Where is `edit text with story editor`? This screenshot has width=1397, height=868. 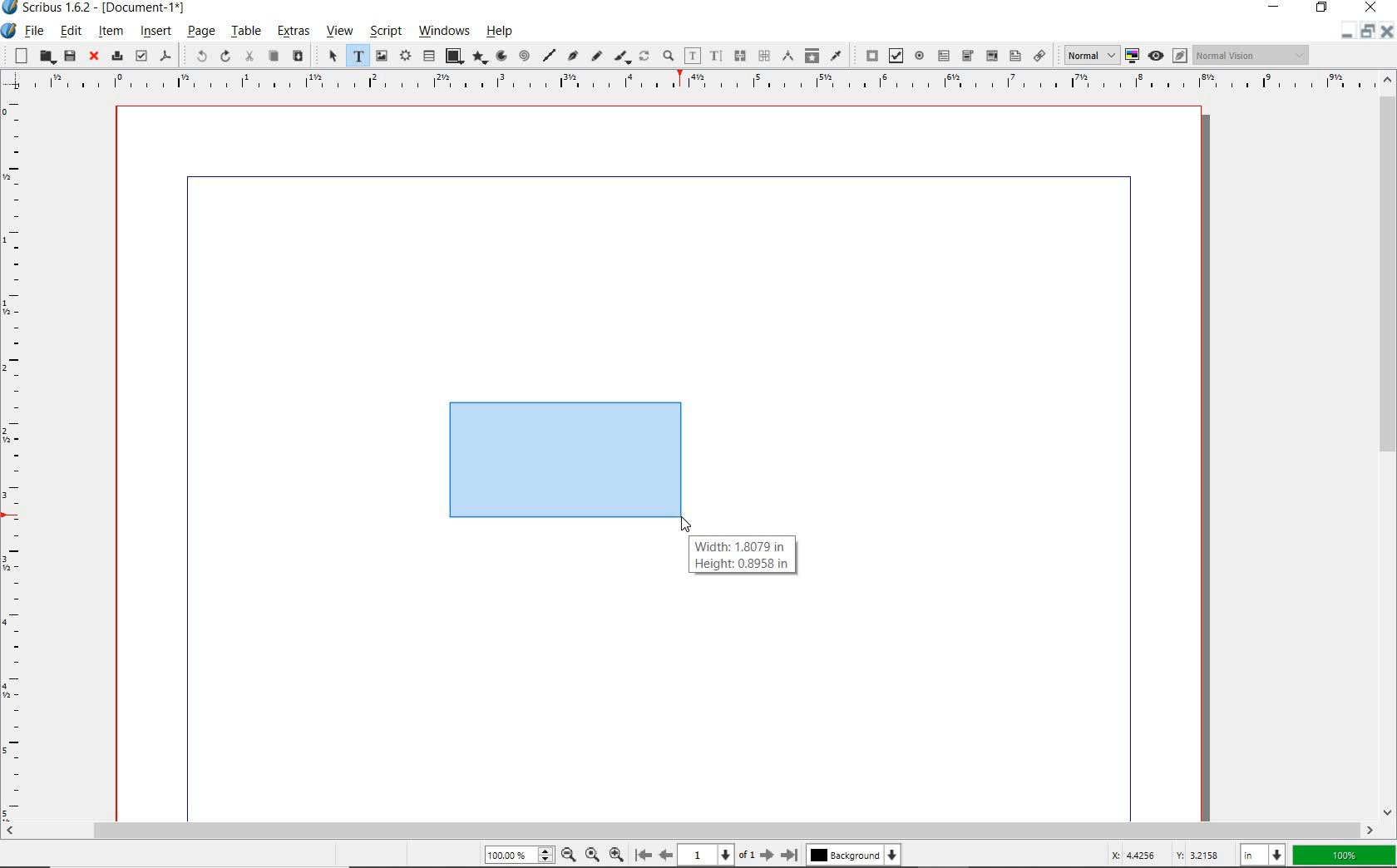
edit text with story editor is located at coordinates (715, 57).